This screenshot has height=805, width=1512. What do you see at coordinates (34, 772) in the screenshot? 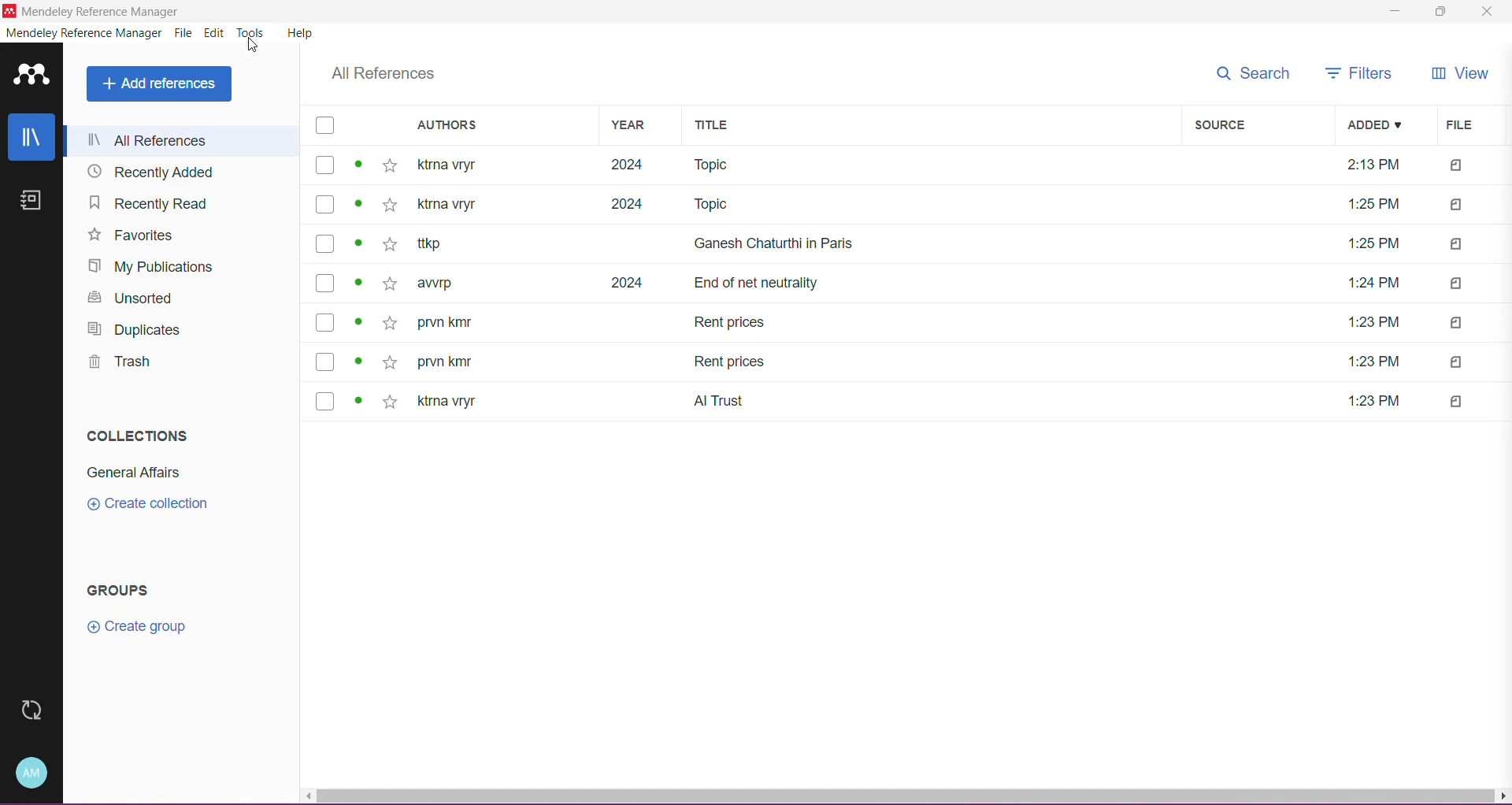
I see `Account and Help` at bounding box center [34, 772].